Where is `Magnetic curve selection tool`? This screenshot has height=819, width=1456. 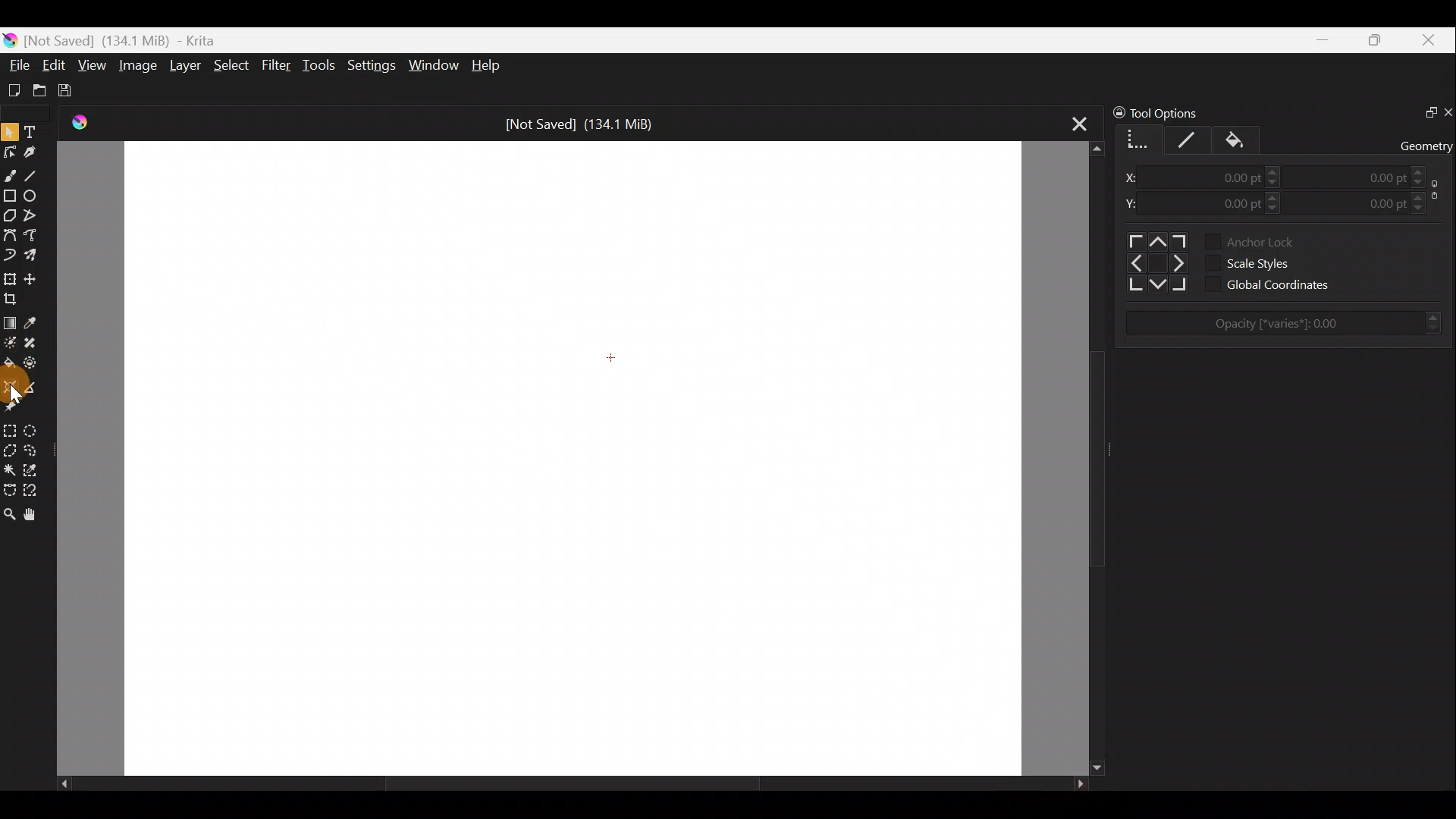
Magnetic curve selection tool is located at coordinates (36, 488).